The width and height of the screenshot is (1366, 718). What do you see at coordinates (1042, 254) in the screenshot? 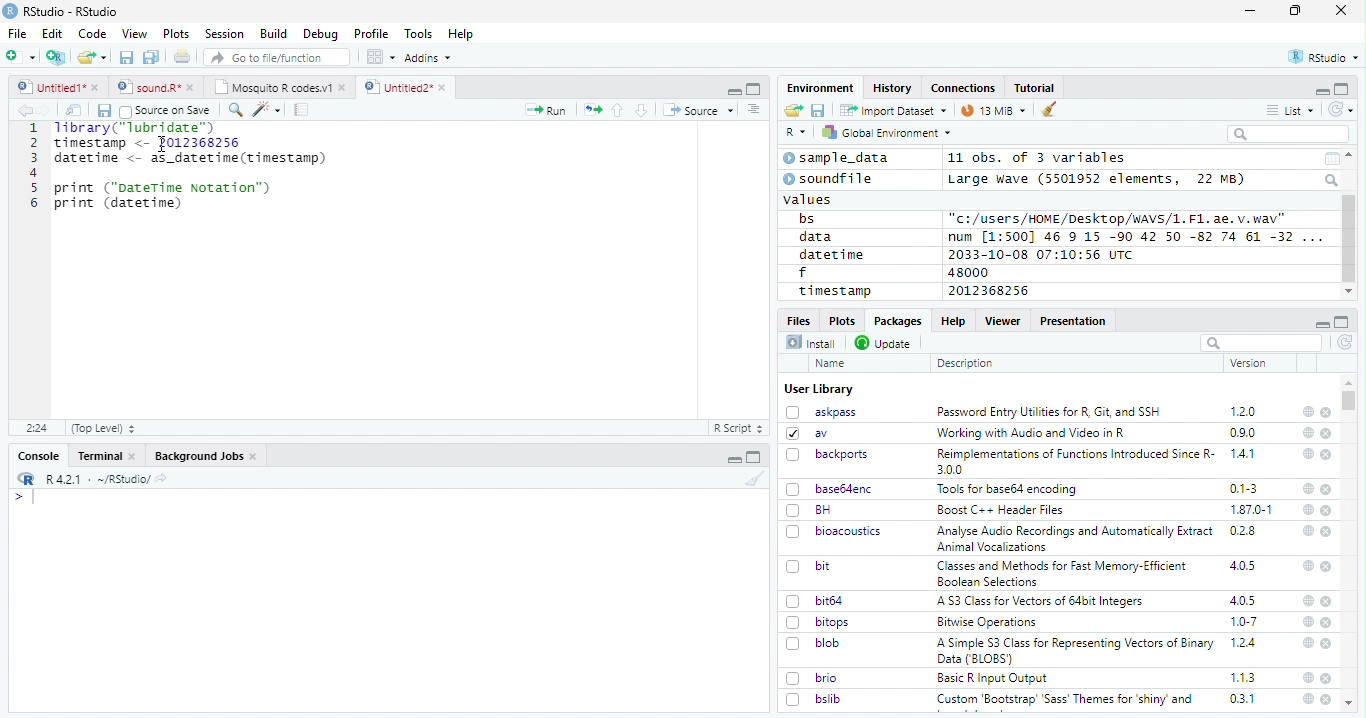
I see `2033-10-08 07:10:56 UTC` at bounding box center [1042, 254].